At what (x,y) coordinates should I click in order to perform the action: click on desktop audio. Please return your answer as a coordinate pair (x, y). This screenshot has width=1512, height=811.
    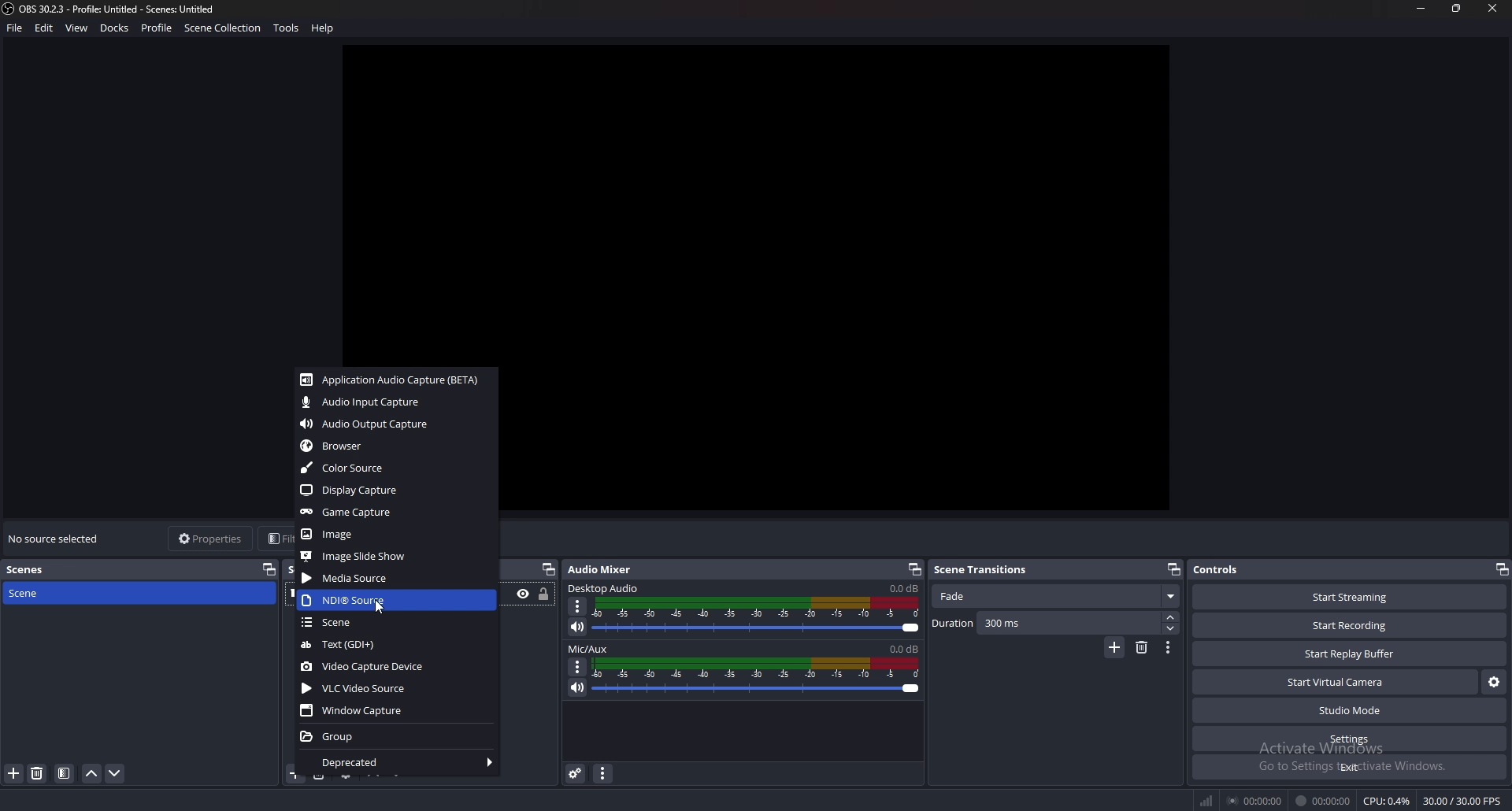
    Looking at the image, I should click on (606, 587).